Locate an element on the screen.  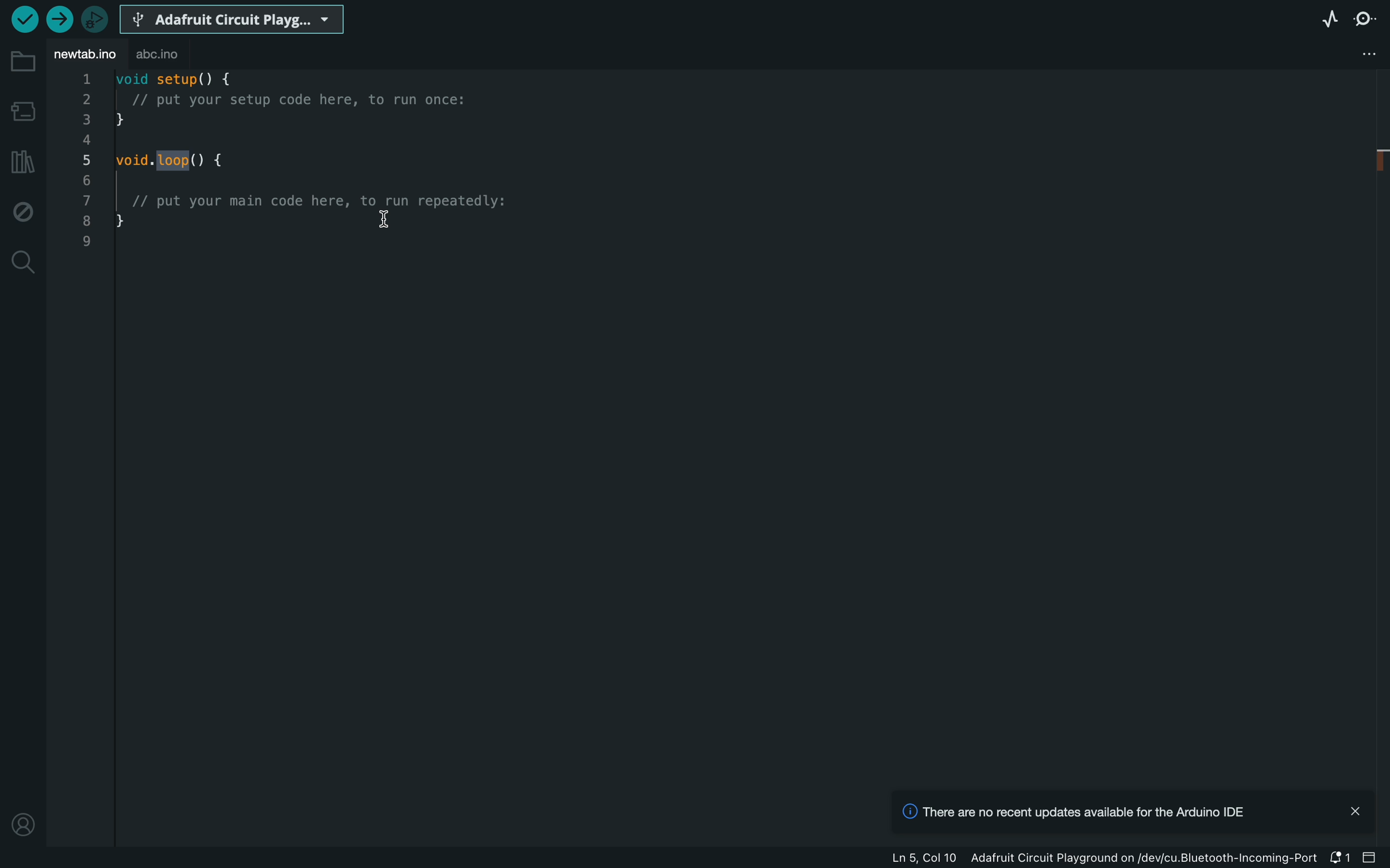
close slide bar is located at coordinates (1370, 857).